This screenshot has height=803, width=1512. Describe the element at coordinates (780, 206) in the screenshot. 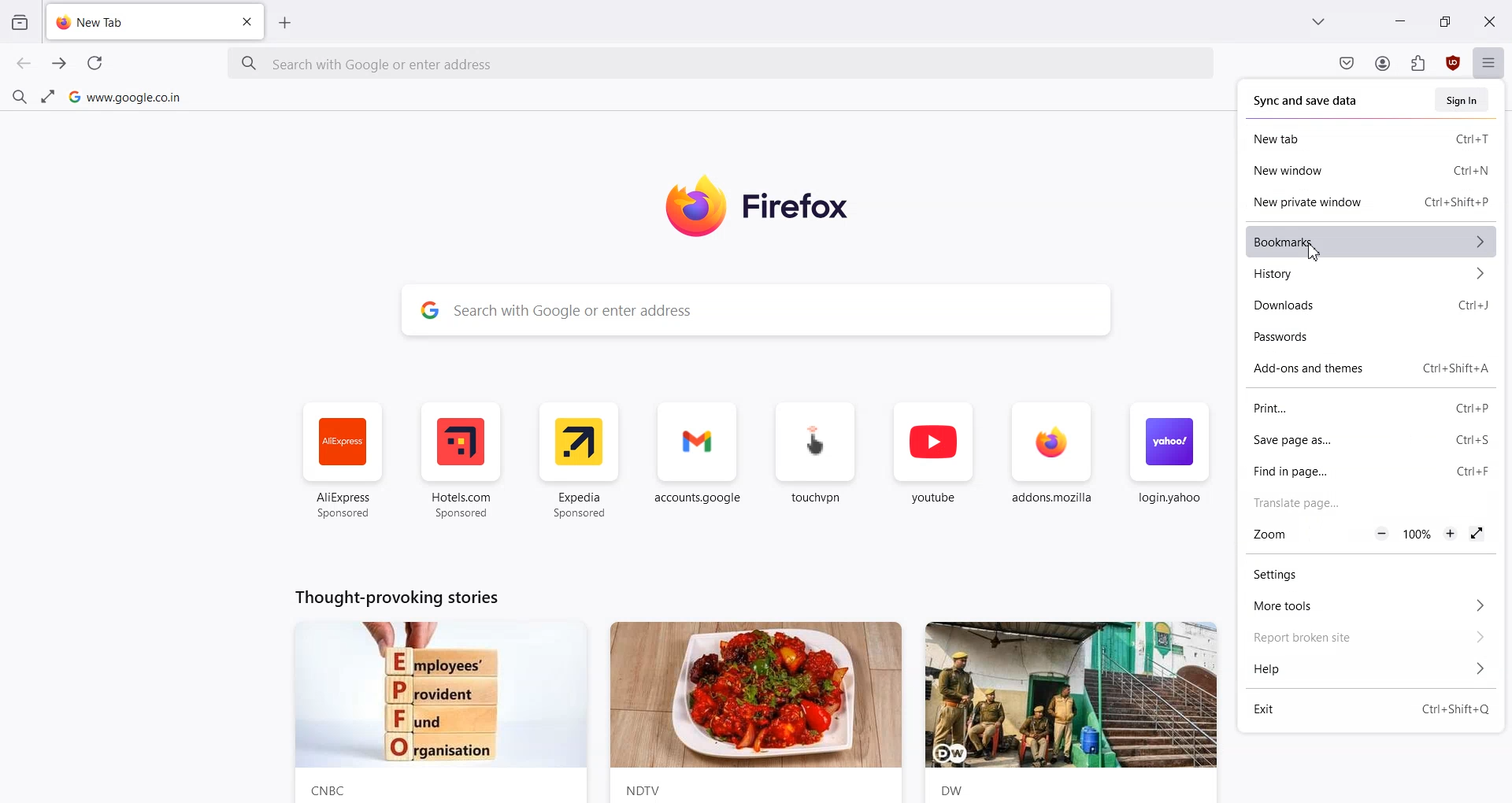

I see `Logo` at that location.